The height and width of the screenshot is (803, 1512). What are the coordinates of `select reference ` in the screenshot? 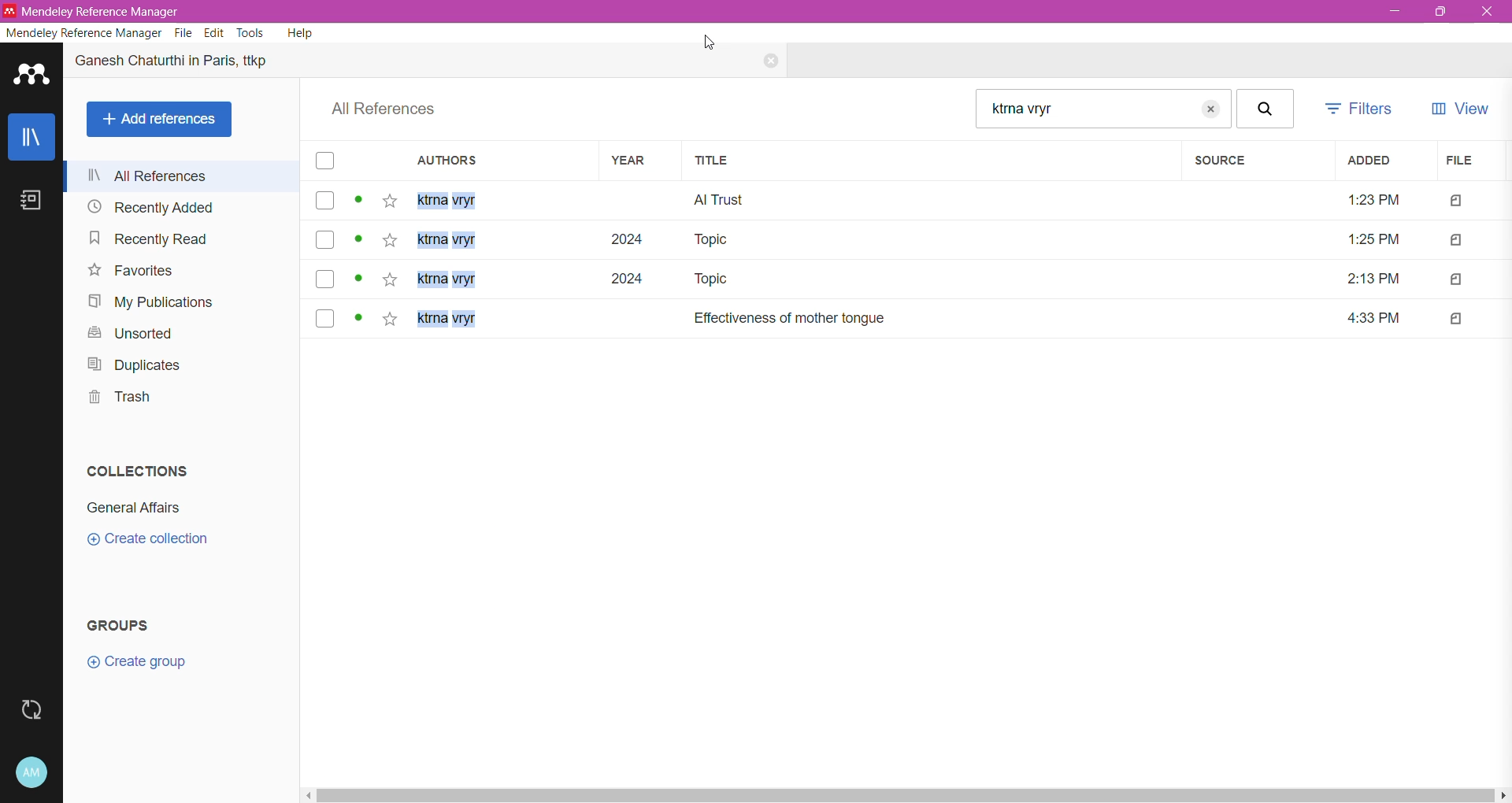 It's located at (326, 318).